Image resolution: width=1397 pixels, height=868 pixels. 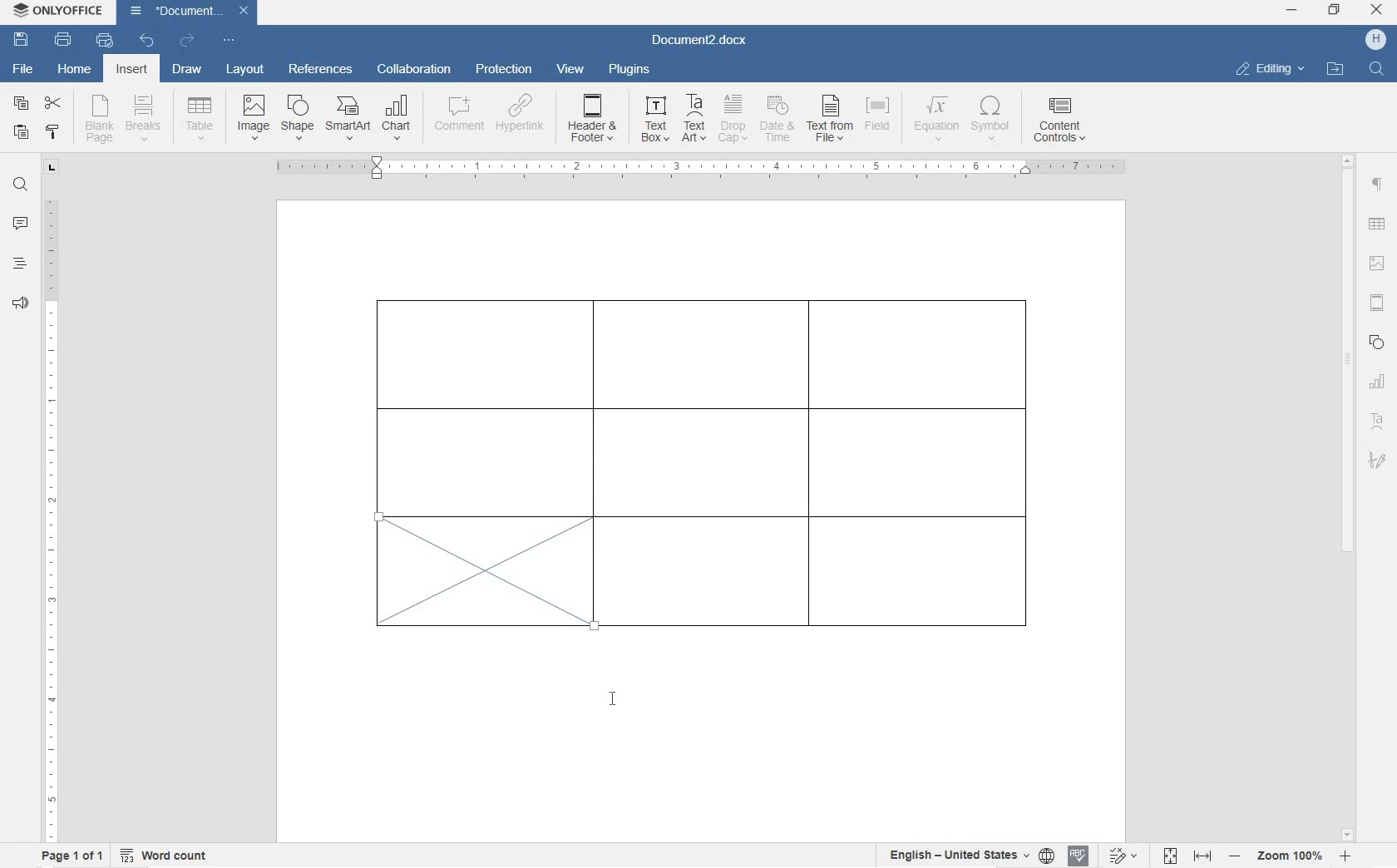 What do you see at coordinates (53, 132) in the screenshot?
I see `copy style` at bounding box center [53, 132].